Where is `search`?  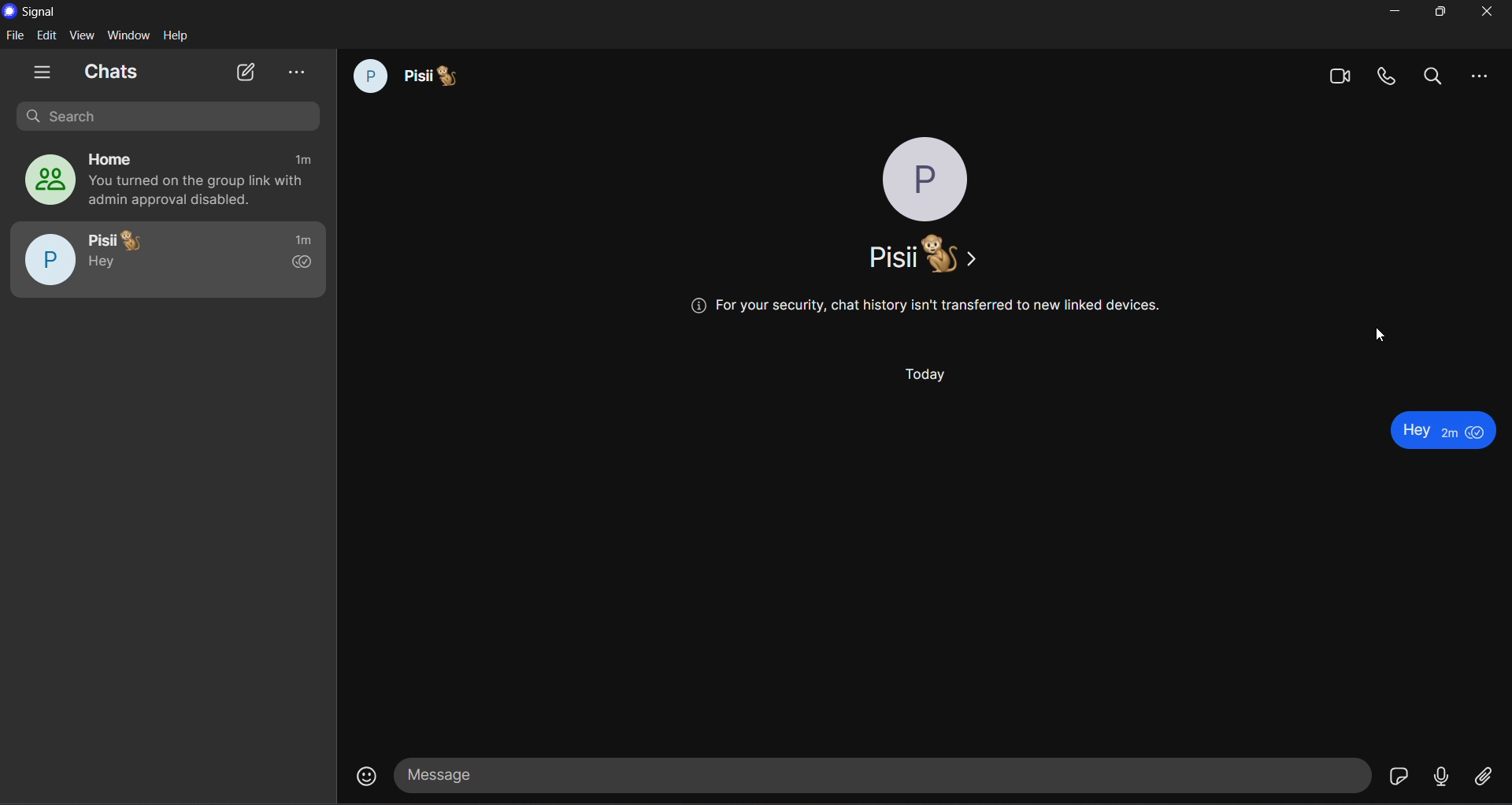
search is located at coordinates (1435, 76).